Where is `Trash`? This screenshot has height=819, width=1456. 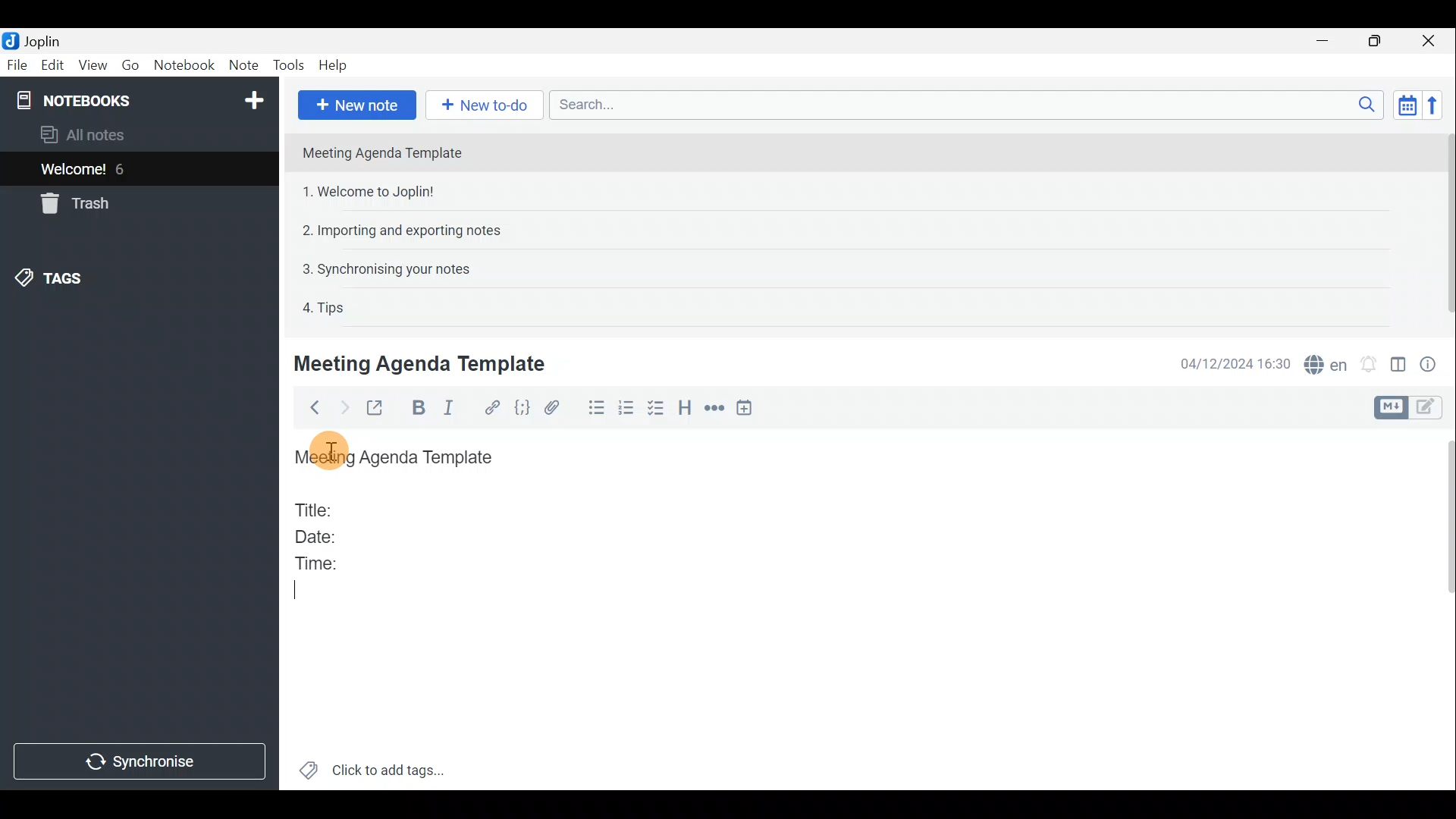
Trash is located at coordinates (72, 203).